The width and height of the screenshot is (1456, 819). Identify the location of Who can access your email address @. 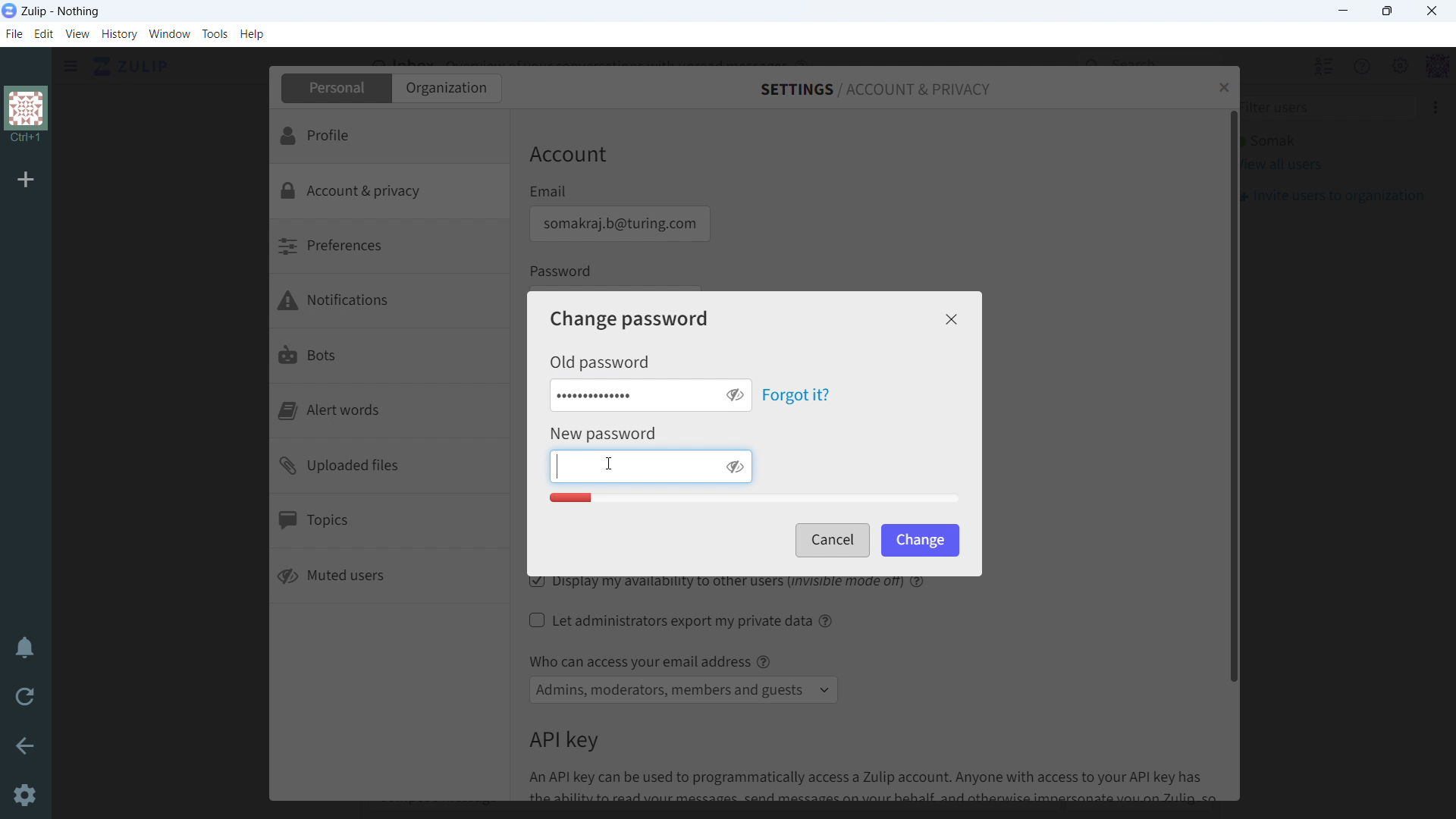
(649, 661).